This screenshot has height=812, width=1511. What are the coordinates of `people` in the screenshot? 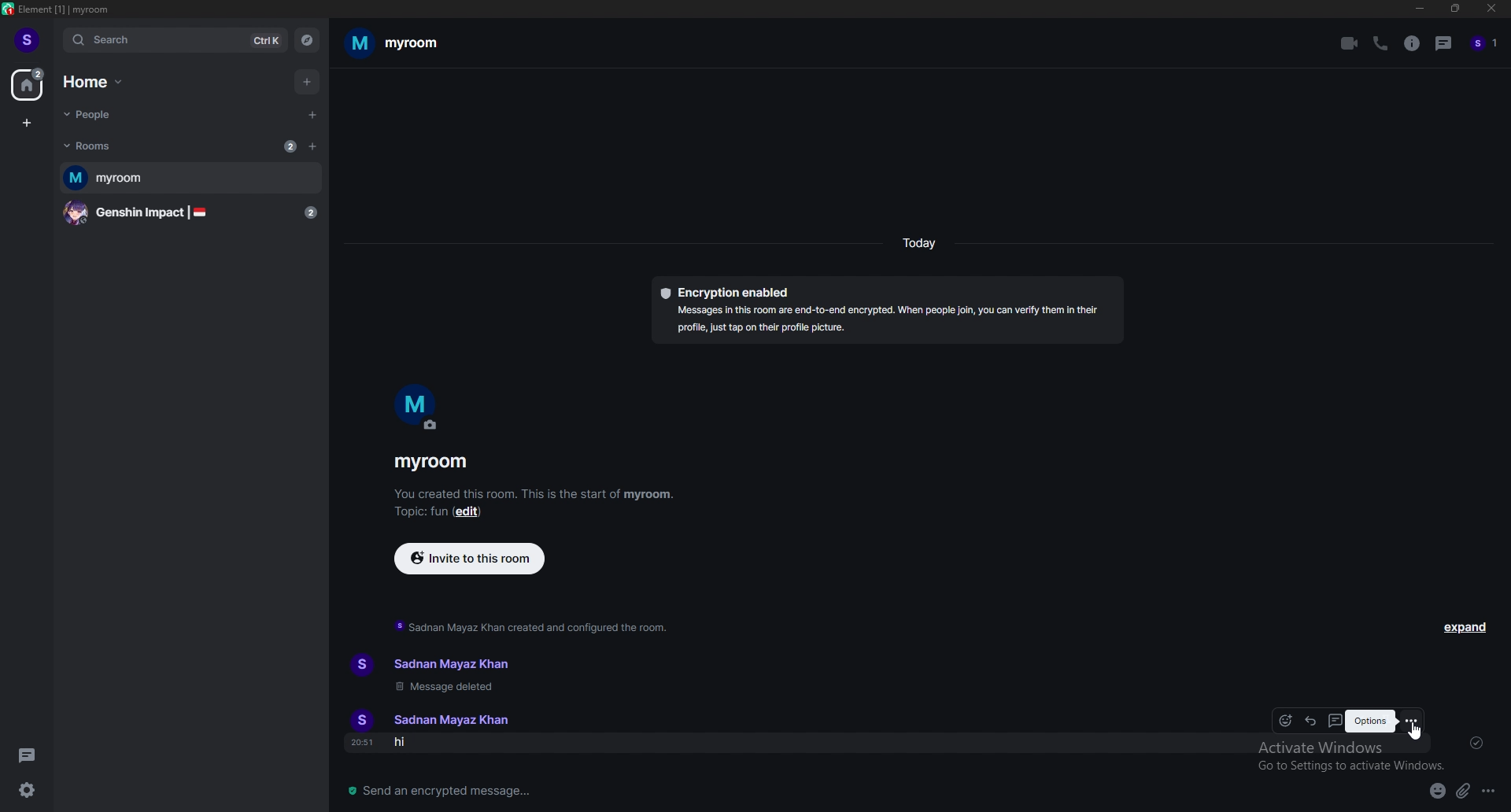 It's located at (1485, 44).